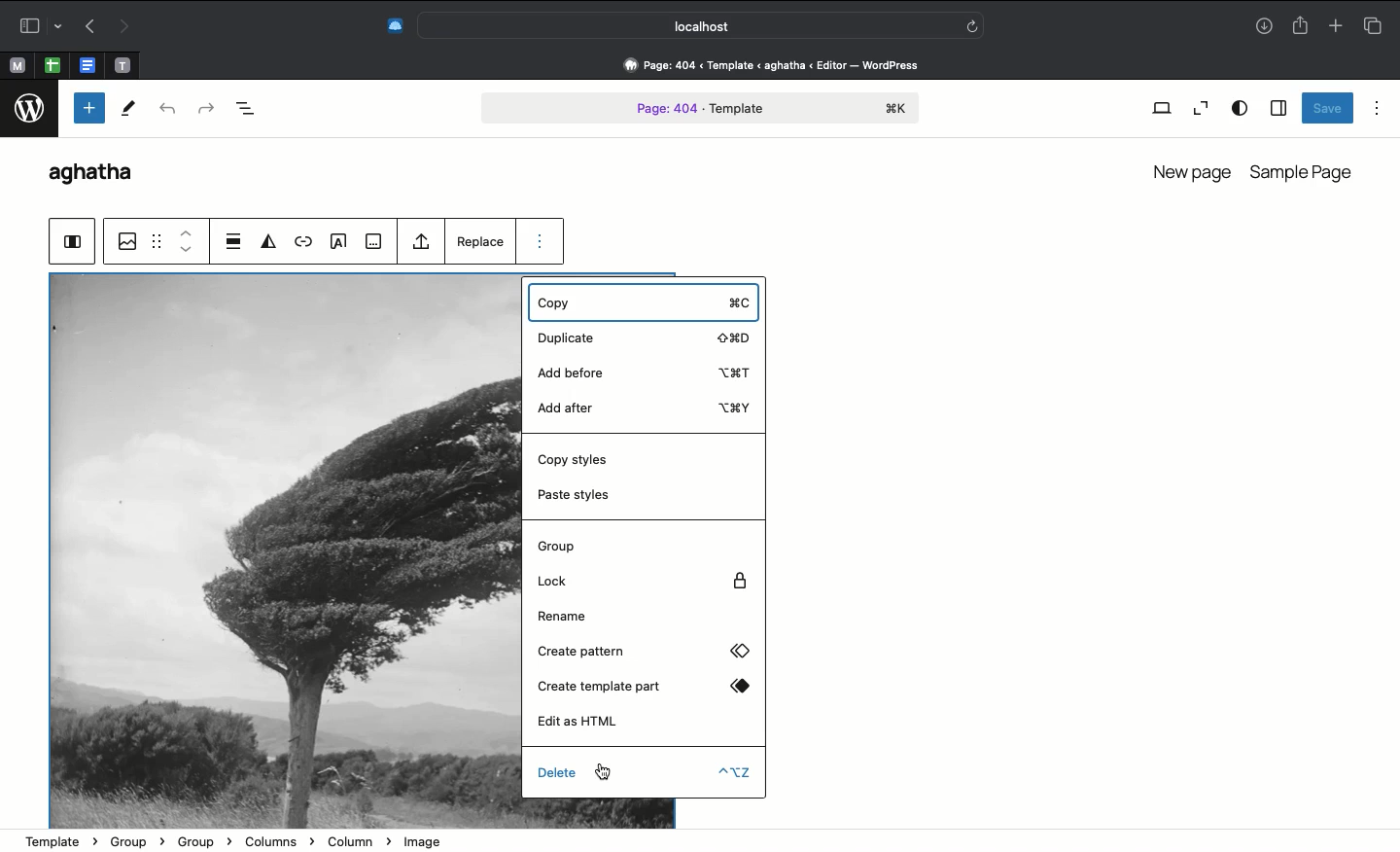 The image size is (1400, 852). I want to click on View options, so click(1241, 109).